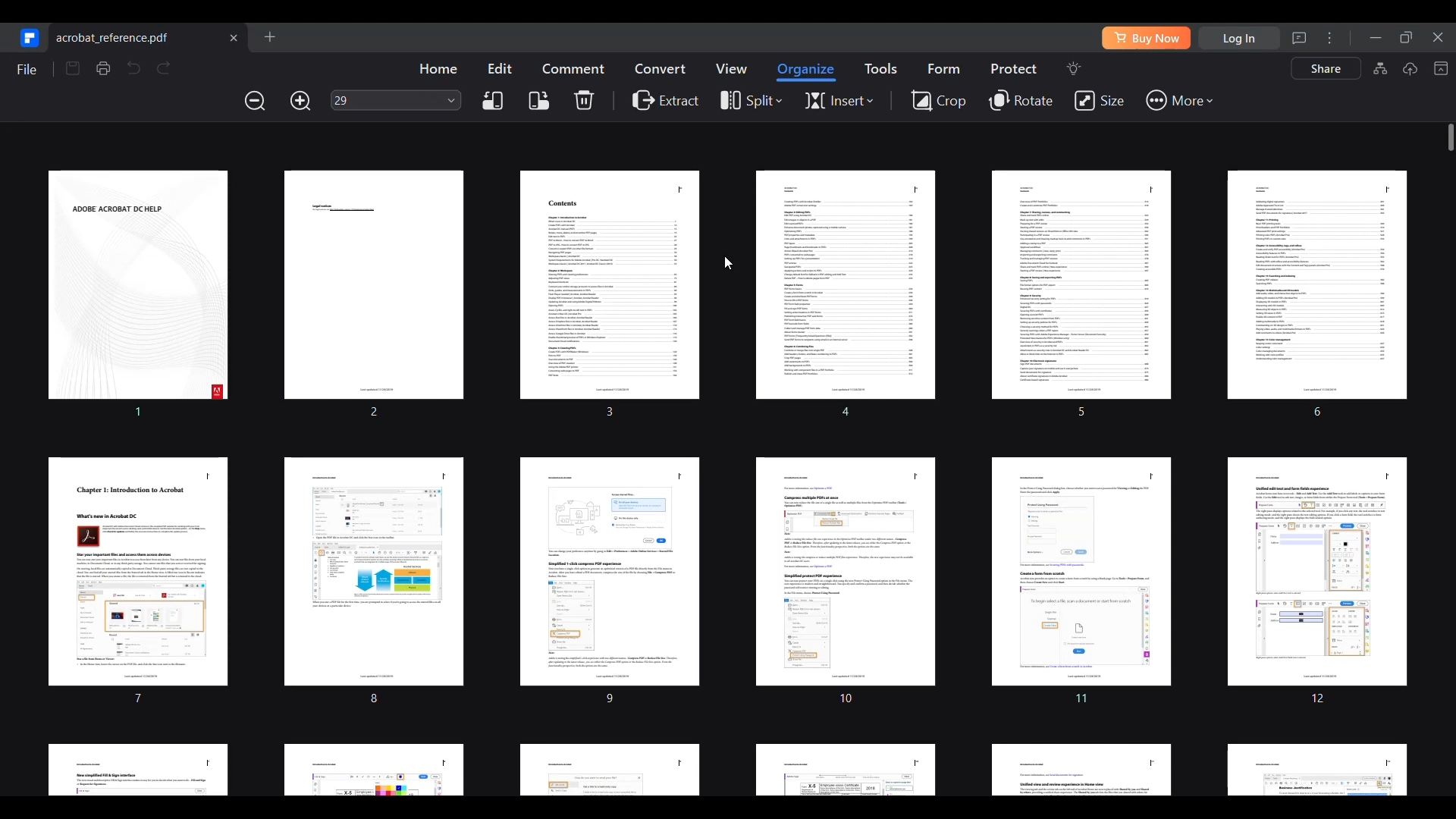 The height and width of the screenshot is (819, 1456). What do you see at coordinates (1326, 68) in the screenshot?
I see `Share` at bounding box center [1326, 68].